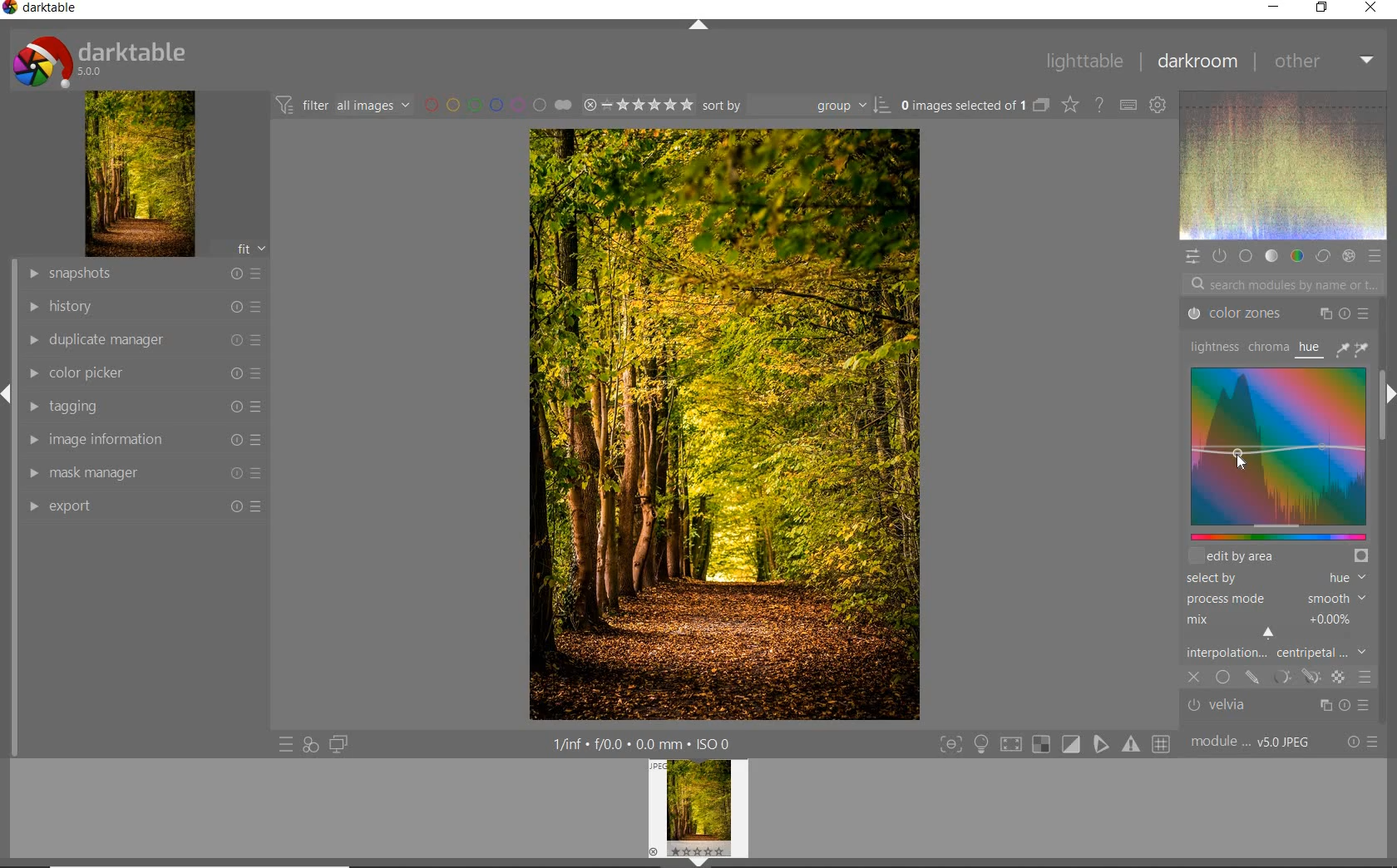  Describe the element at coordinates (143, 338) in the screenshot. I see `DUPLICATE MANAGER` at that location.